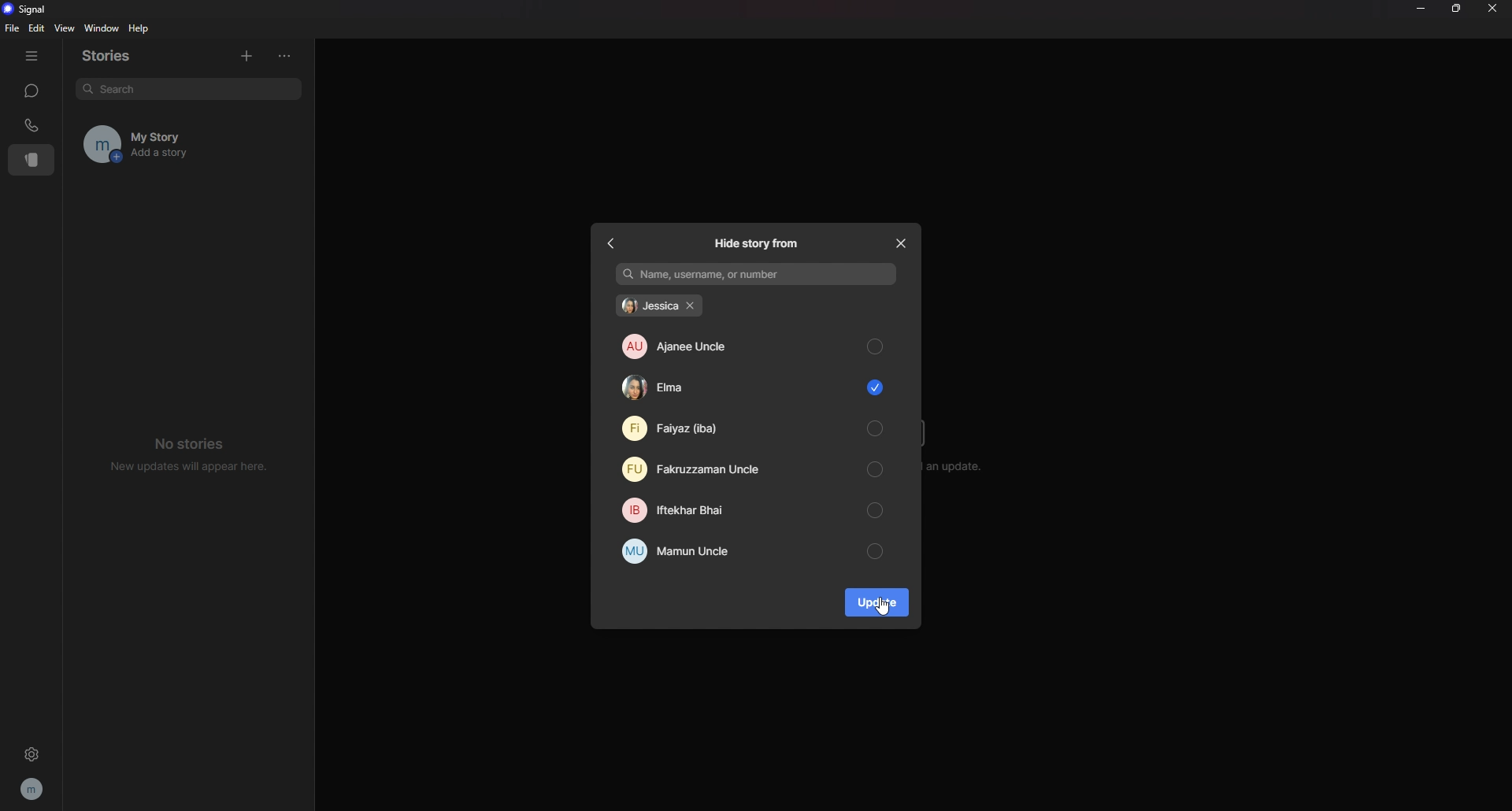 The height and width of the screenshot is (811, 1512). I want to click on faiyaz (iba), so click(750, 428).